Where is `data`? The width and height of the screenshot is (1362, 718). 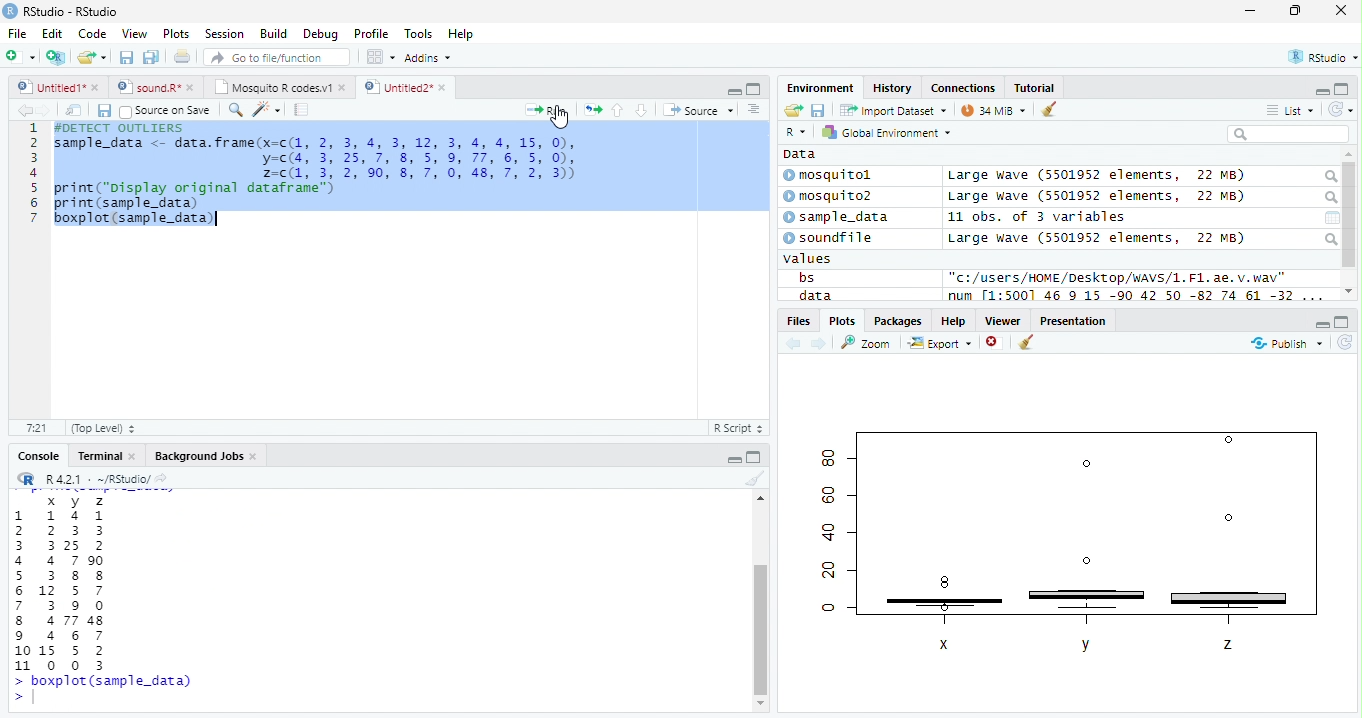
data is located at coordinates (813, 295).